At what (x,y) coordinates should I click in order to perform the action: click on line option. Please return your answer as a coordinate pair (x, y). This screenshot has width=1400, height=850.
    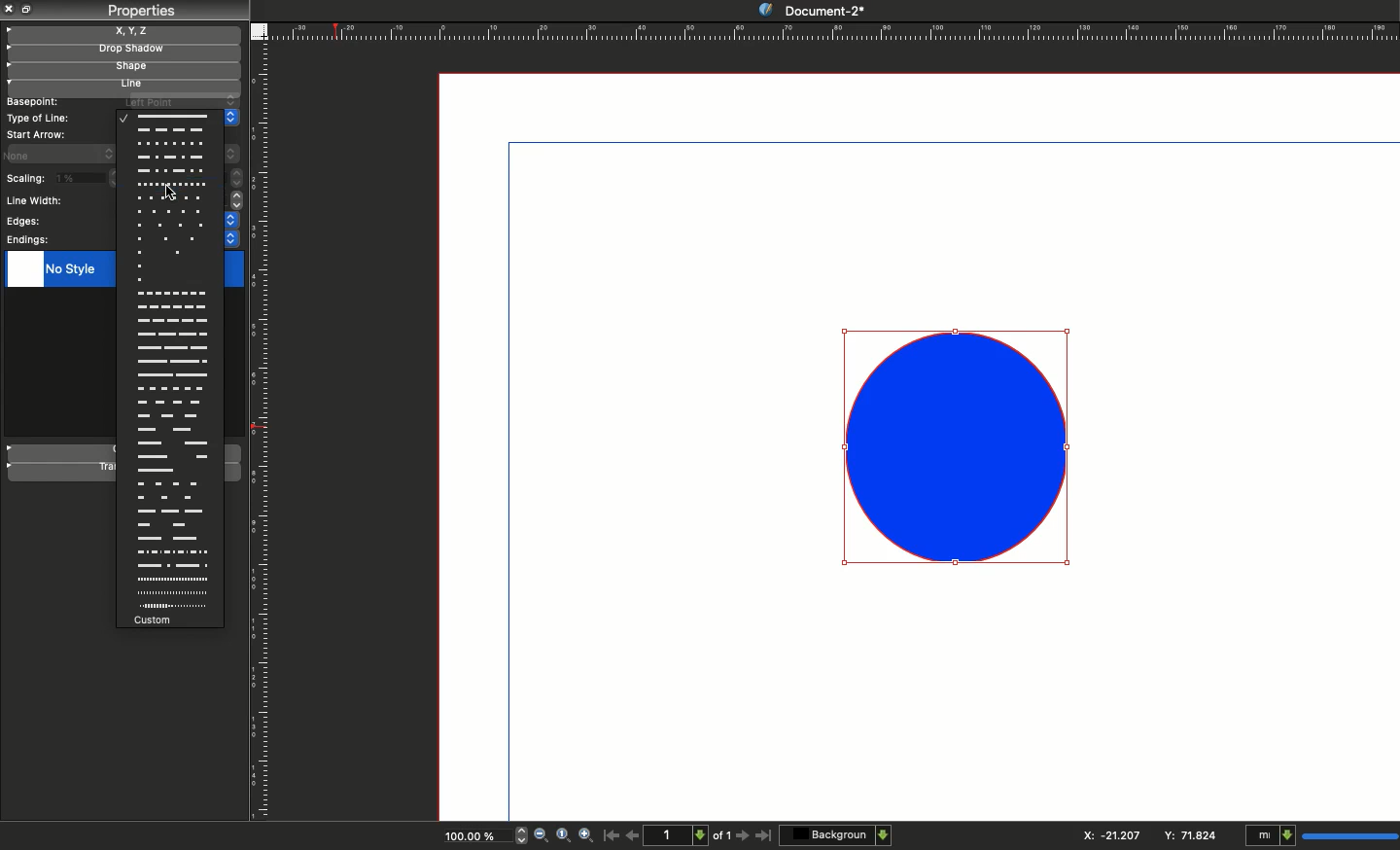
    Looking at the image, I should click on (171, 266).